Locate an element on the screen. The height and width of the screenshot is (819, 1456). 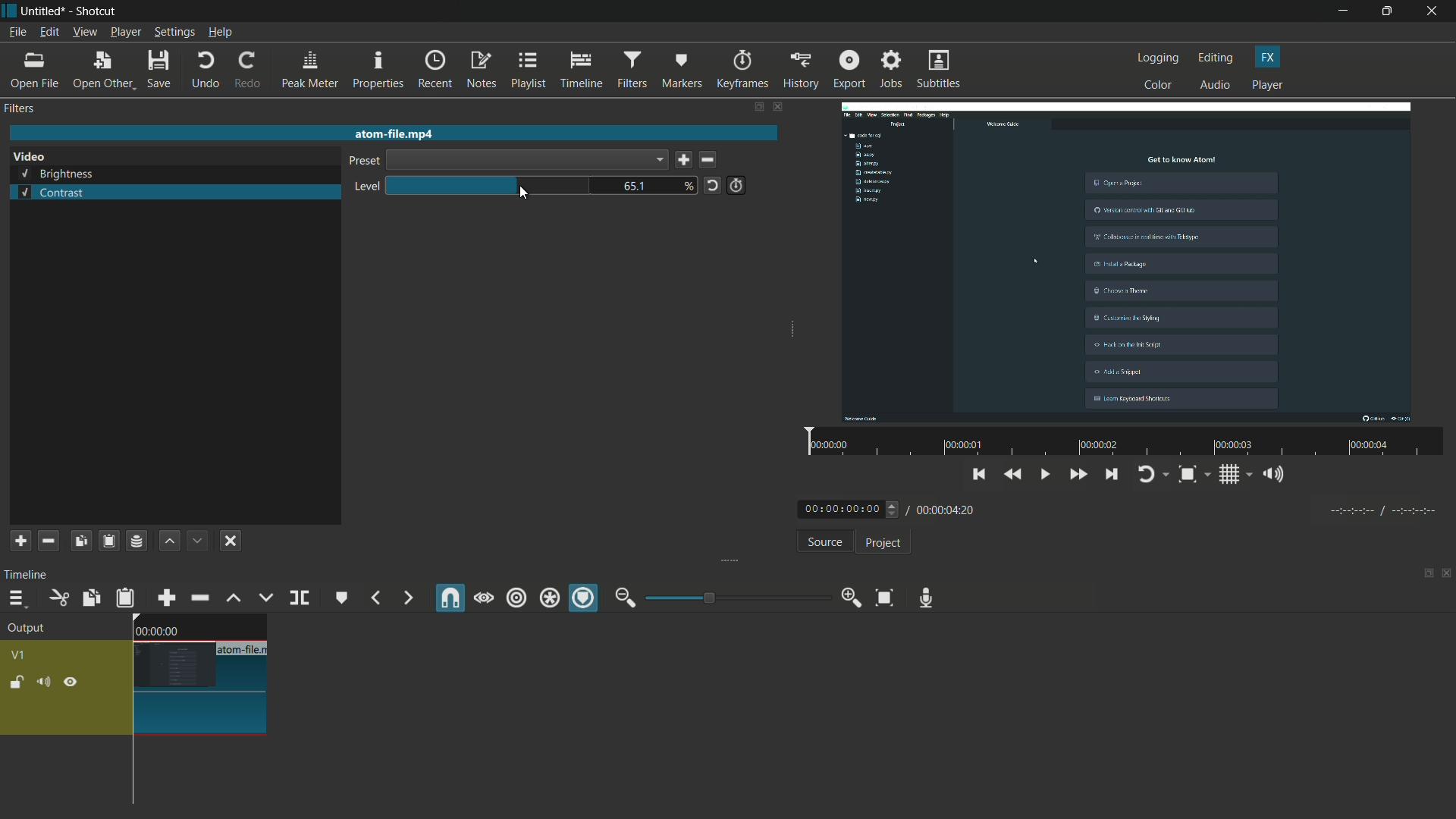
zoom out is located at coordinates (625, 598).